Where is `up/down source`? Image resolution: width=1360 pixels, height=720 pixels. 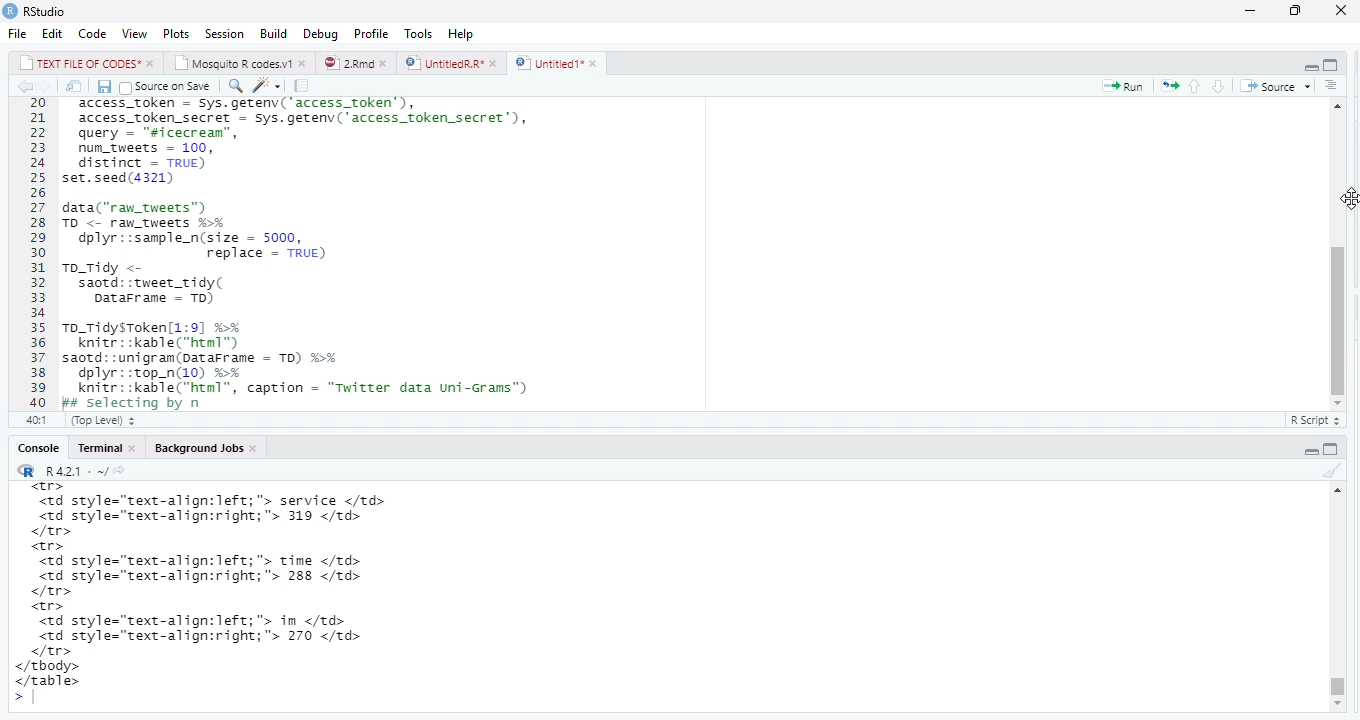
up/down source is located at coordinates (1212, 87).